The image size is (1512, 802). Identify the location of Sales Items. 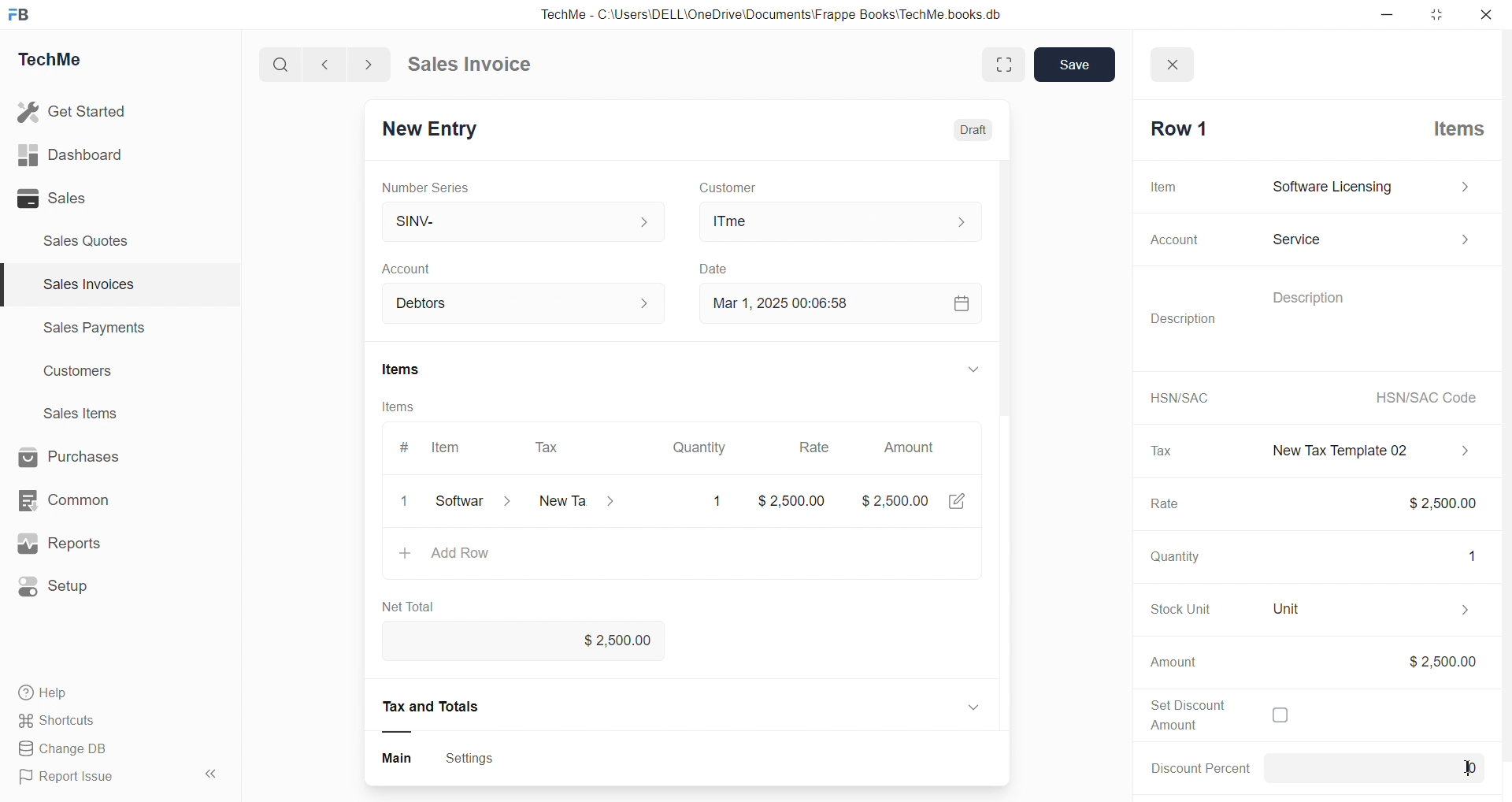
(87, 415).